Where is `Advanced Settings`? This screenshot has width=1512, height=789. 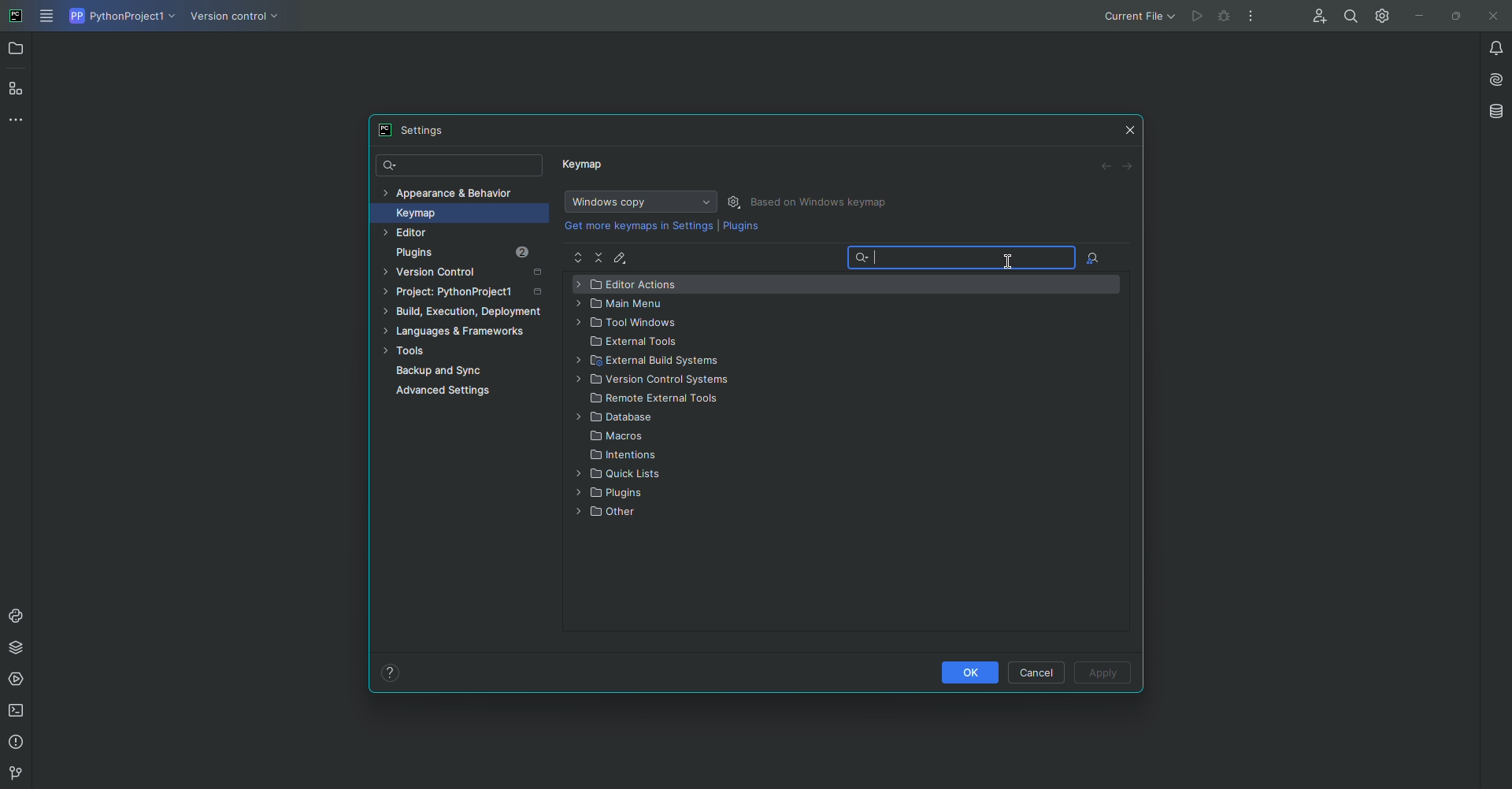 Advanced Settings is located at coordinates (447, 393).